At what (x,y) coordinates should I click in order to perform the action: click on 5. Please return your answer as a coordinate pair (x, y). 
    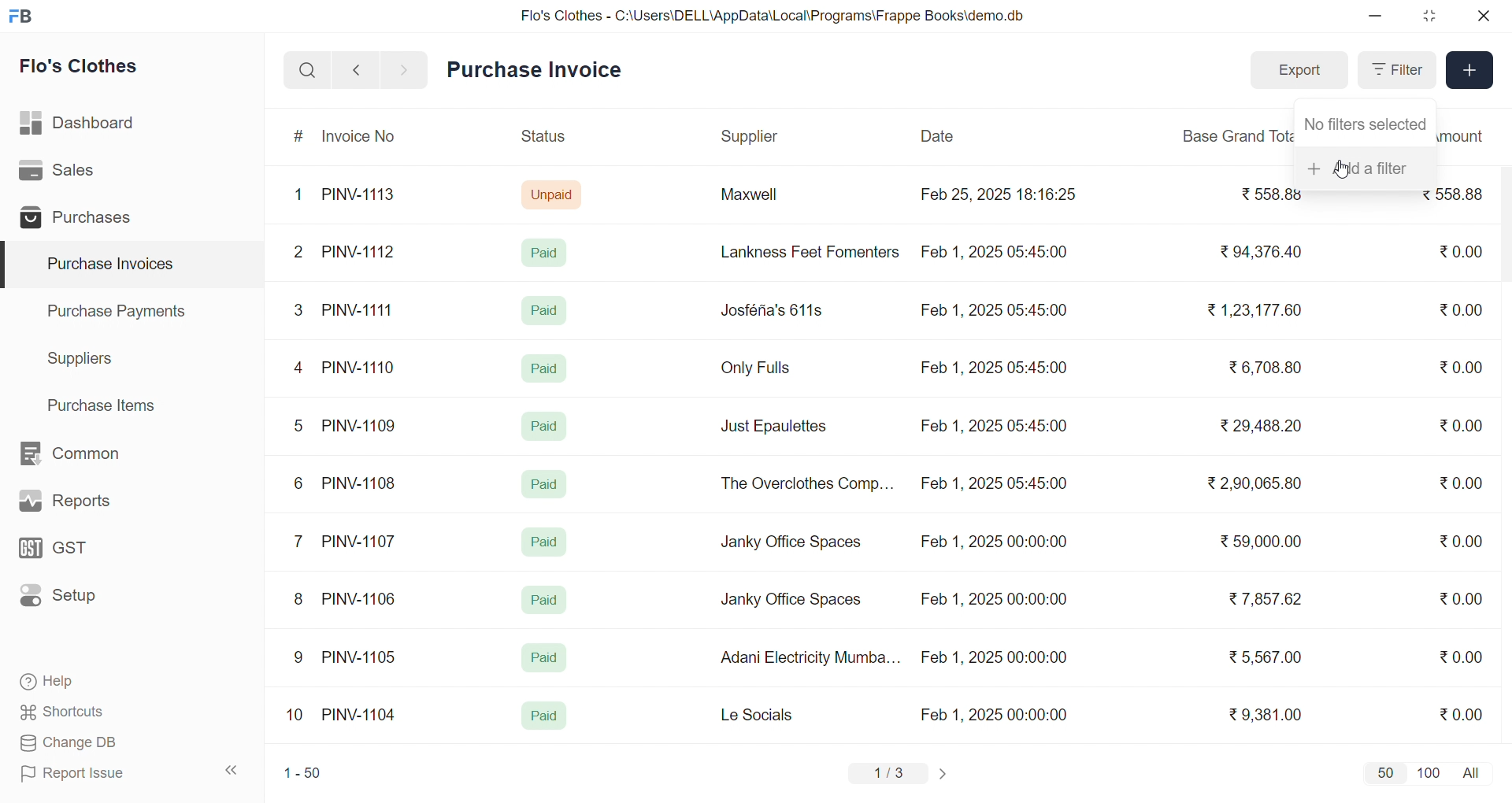
    Looking at the image, I should click on (298, 425).